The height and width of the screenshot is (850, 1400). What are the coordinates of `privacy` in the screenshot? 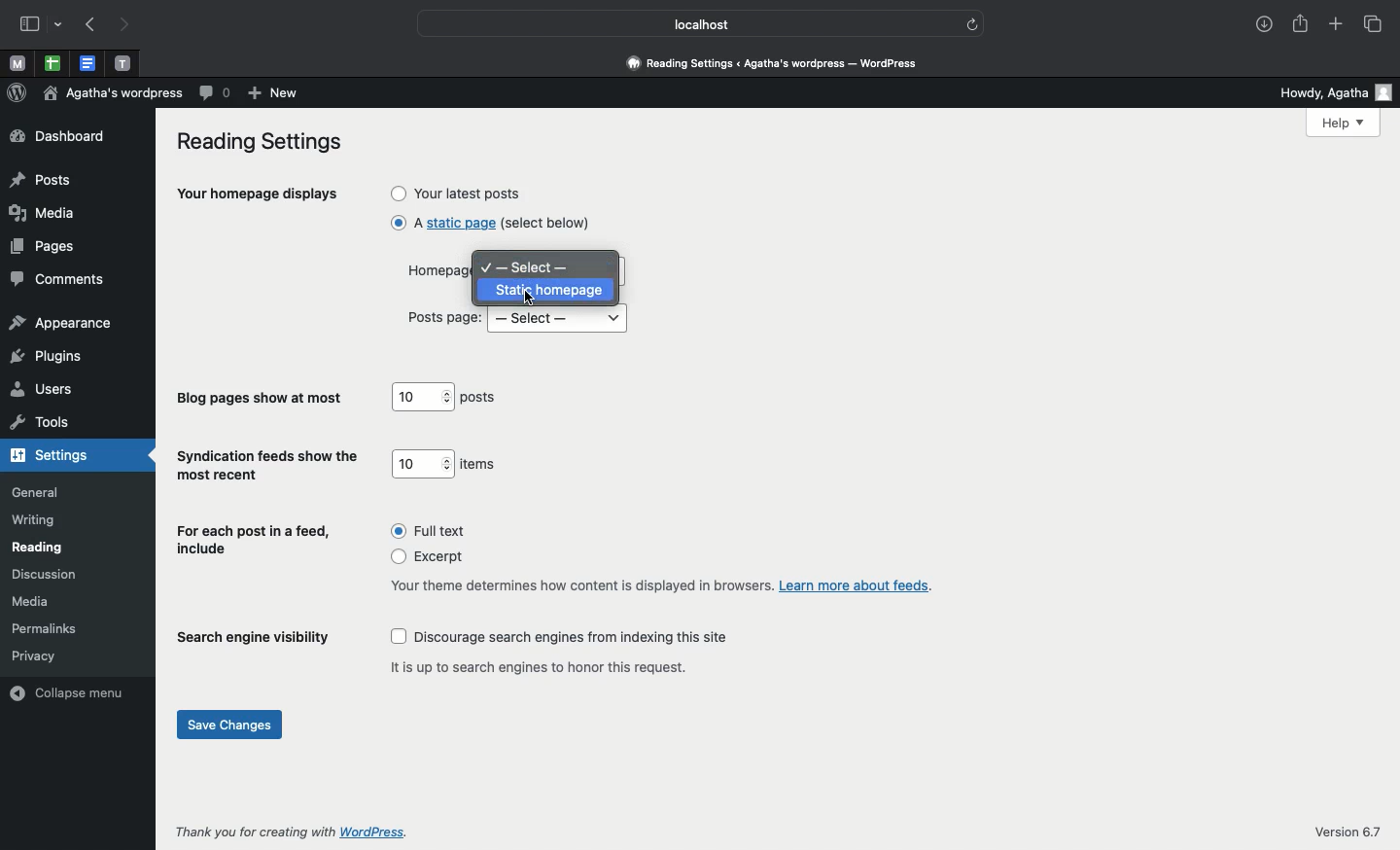 It's located at (34, 655).